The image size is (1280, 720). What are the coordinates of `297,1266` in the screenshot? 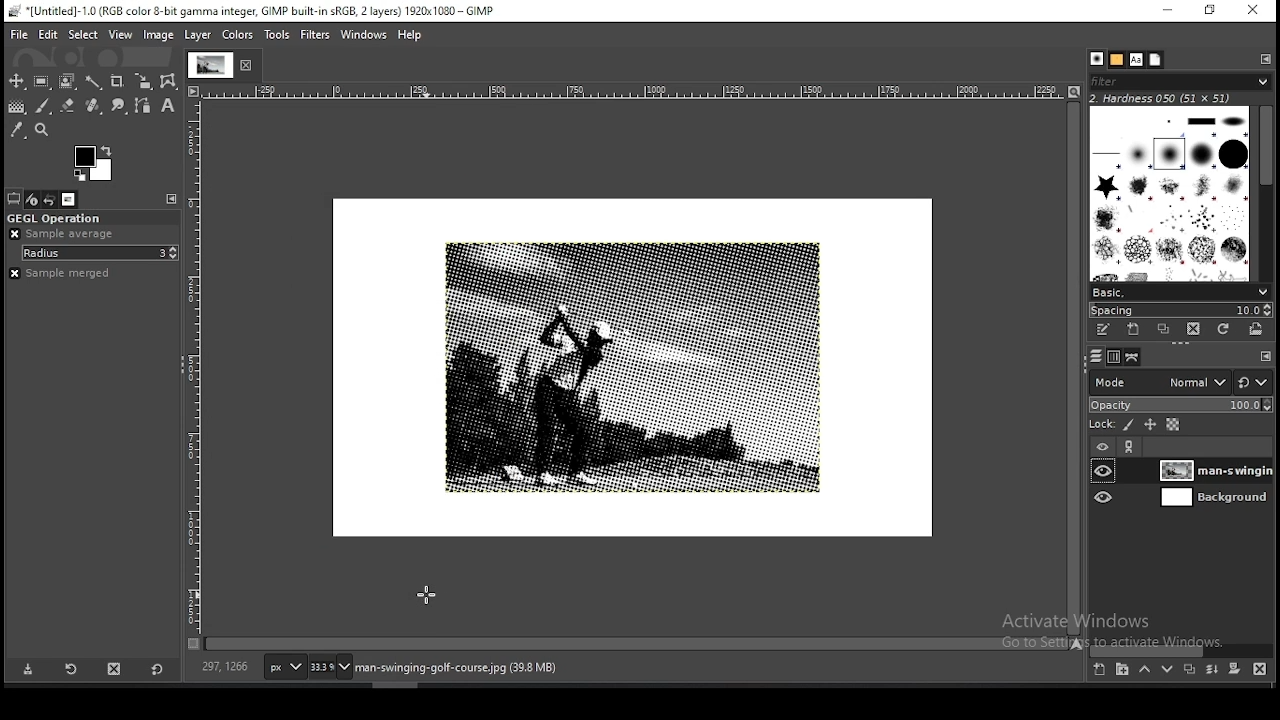 It's located at (226, 667).